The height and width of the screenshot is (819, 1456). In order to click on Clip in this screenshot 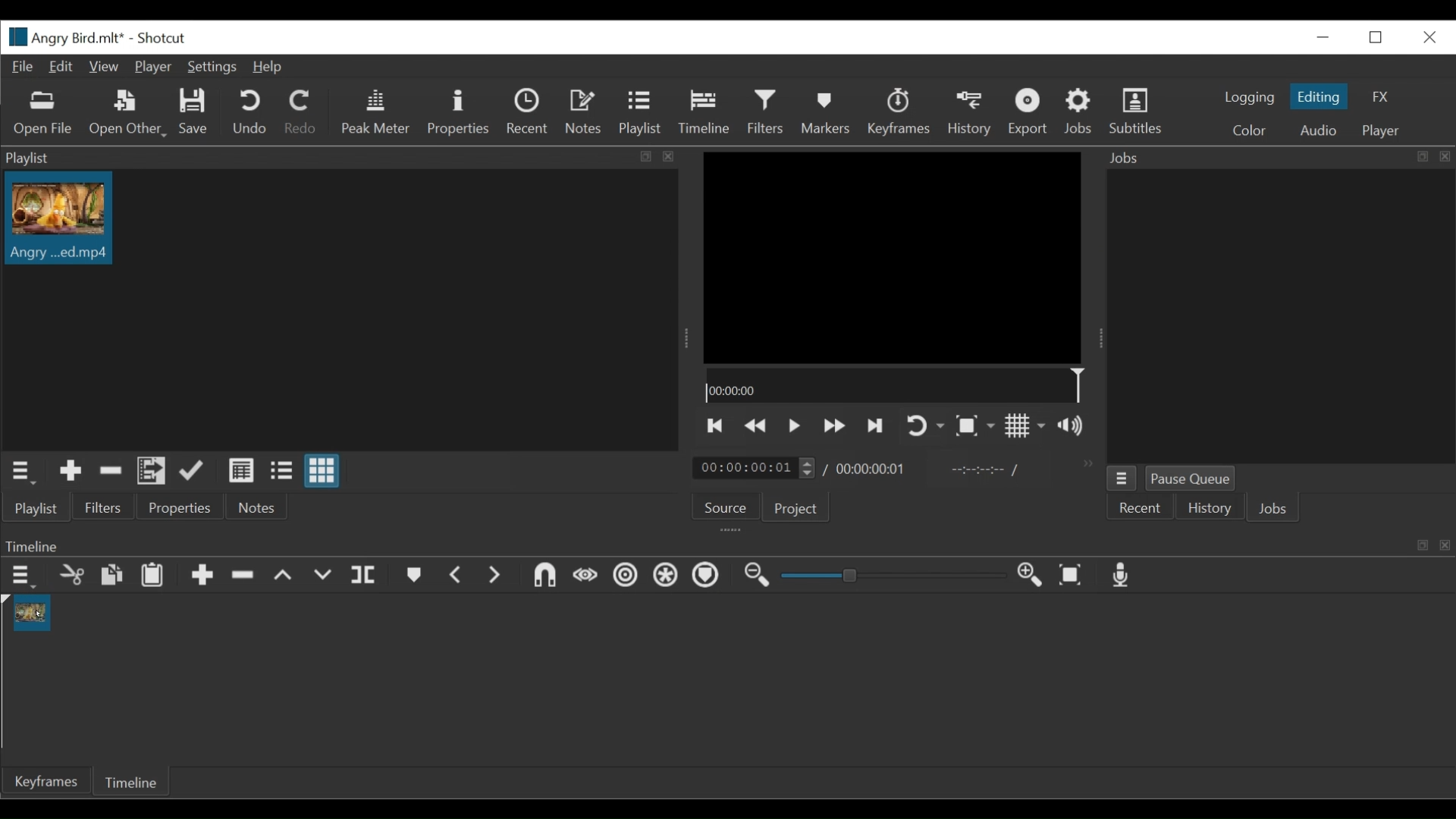, I will do `click(33, 610)`.